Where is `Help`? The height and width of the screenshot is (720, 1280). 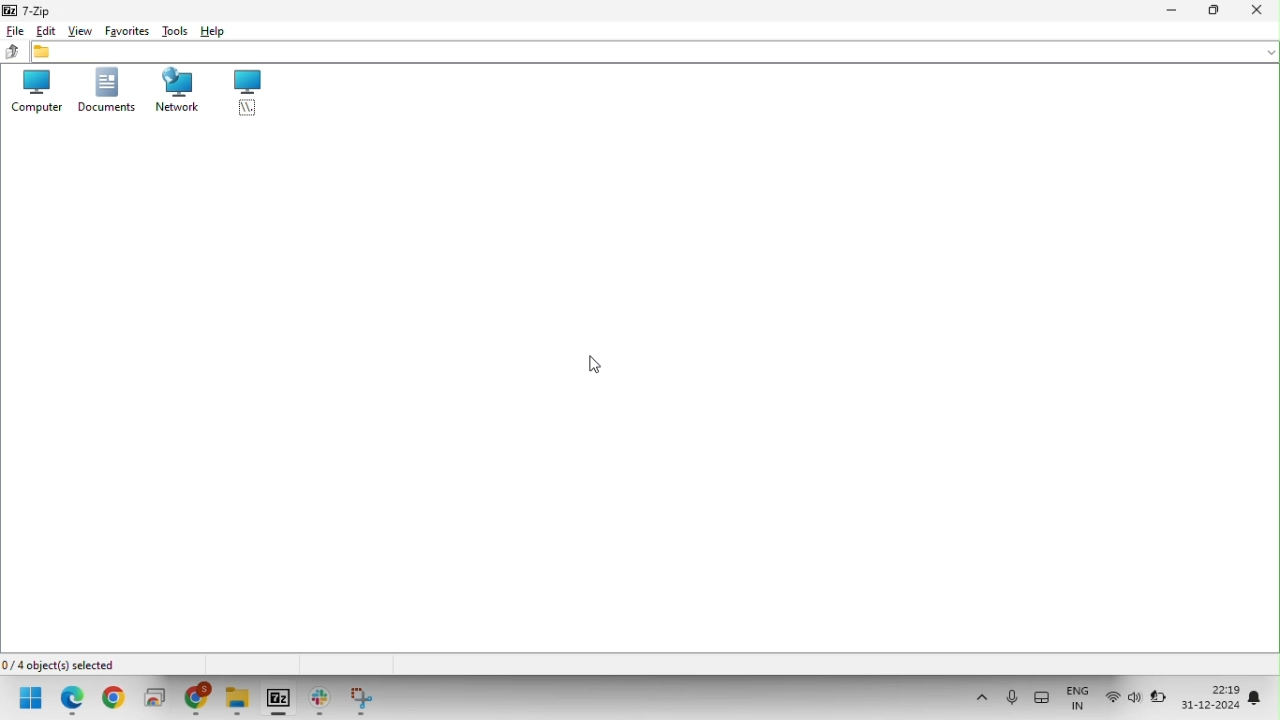 Help is located at coordinates (219, 28).